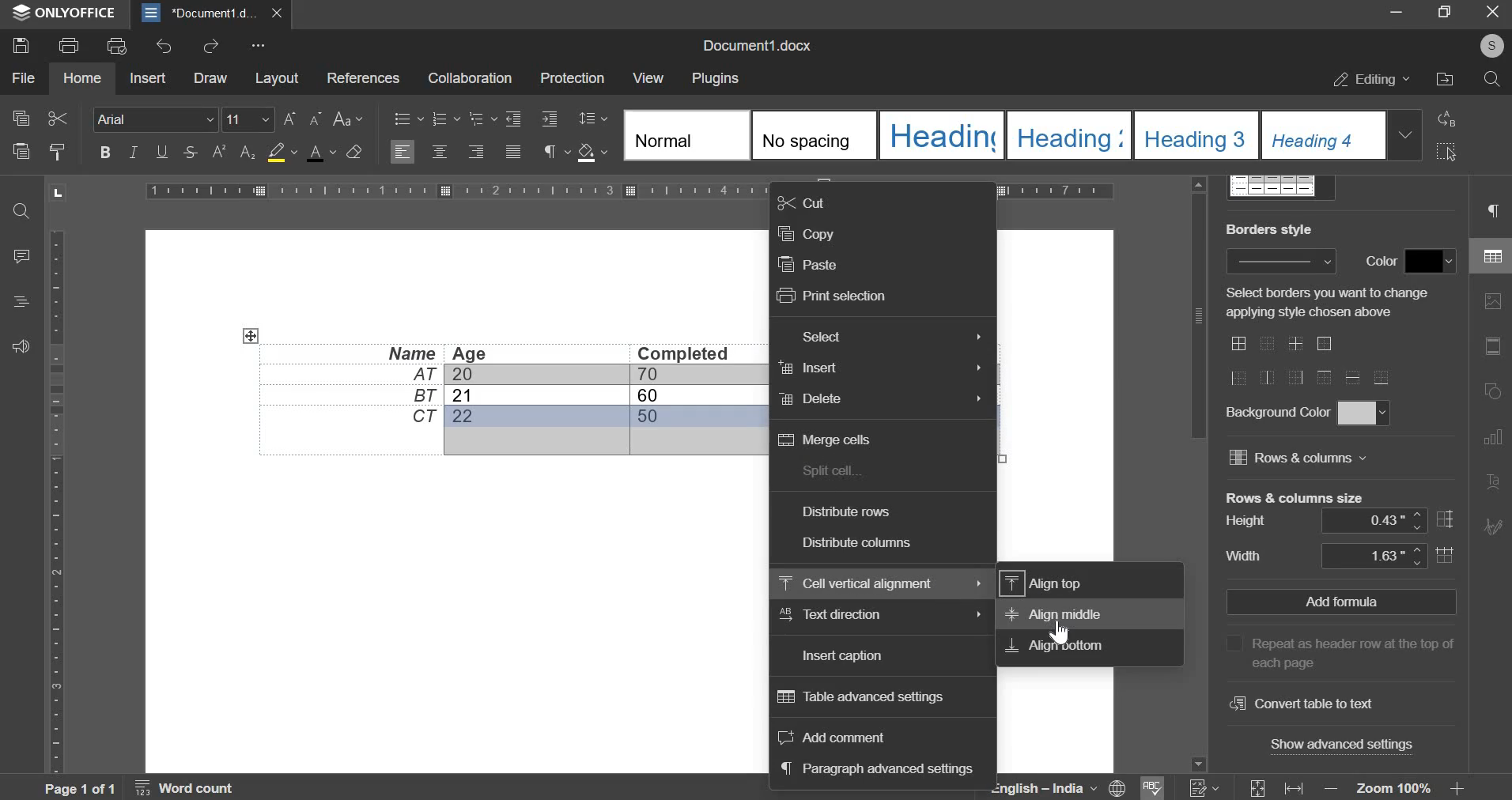  I want to click on shading, so click(587, 152).